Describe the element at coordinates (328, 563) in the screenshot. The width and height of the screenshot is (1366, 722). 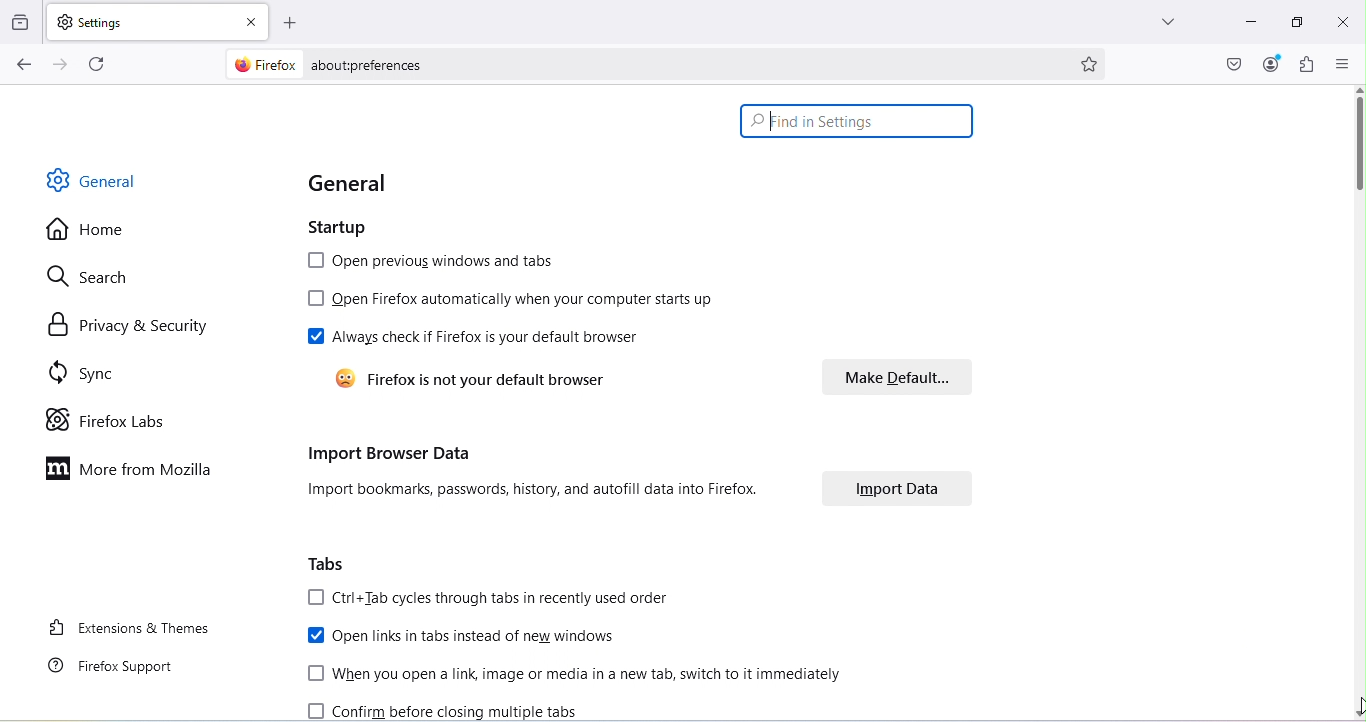
I see `Tabs` at that location.